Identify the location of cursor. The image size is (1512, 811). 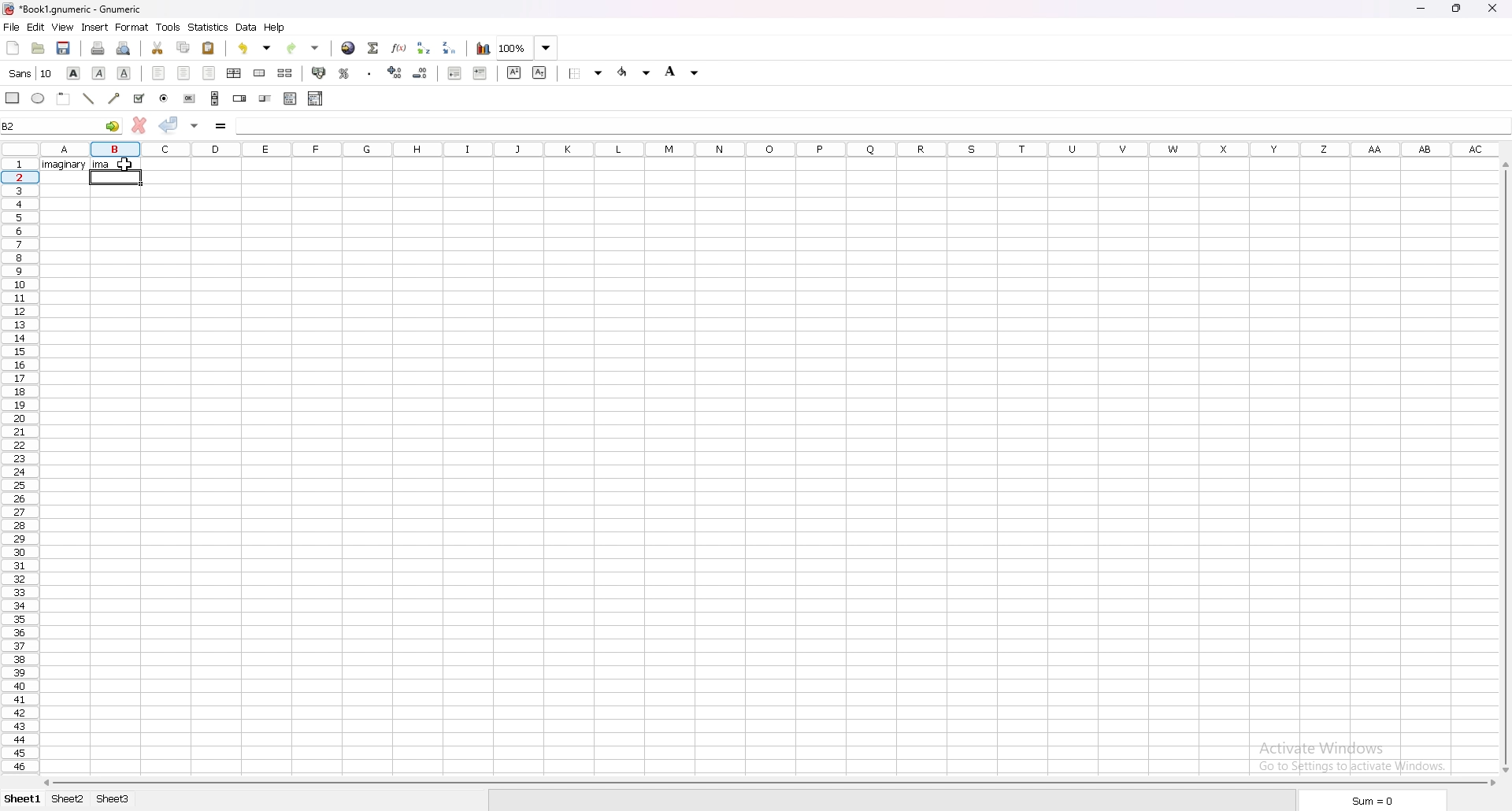
(126, 163).